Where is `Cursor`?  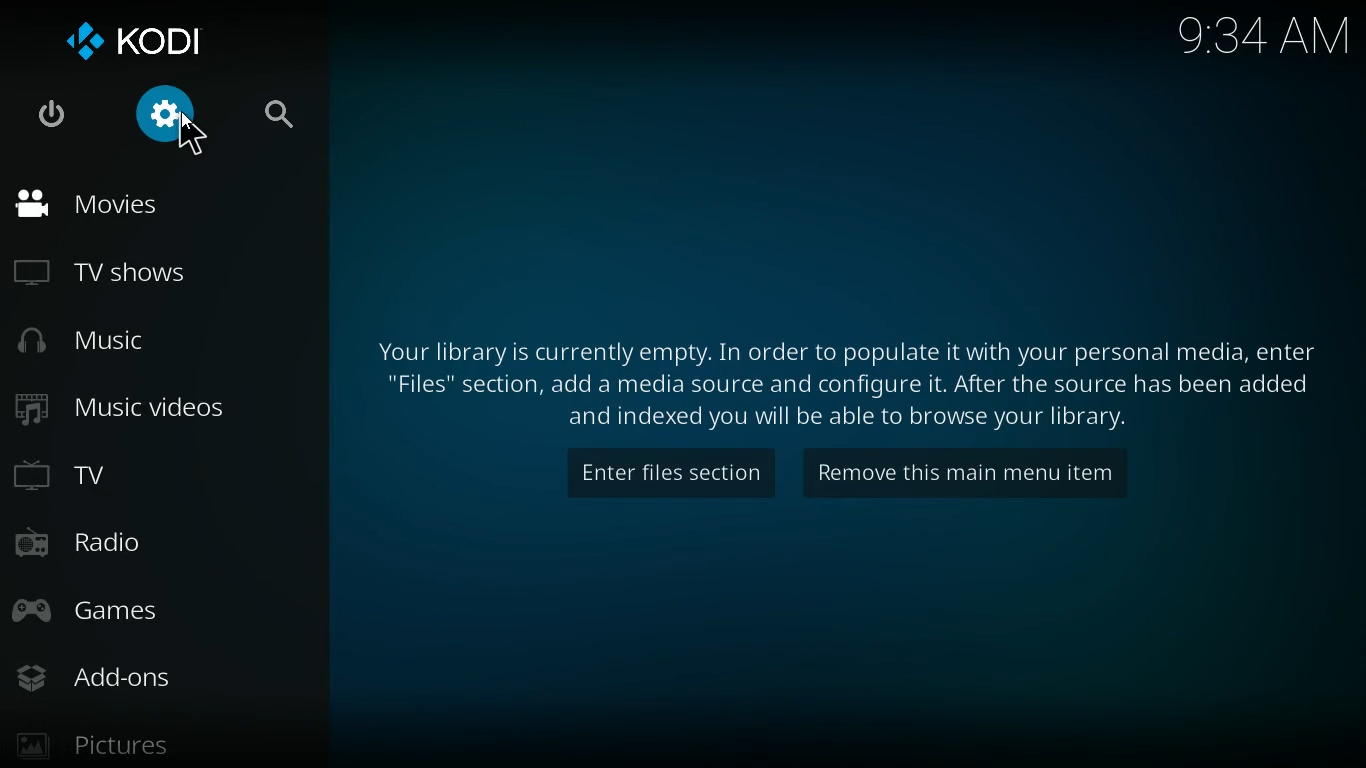
Cursor is located at coordinates (191, 135).